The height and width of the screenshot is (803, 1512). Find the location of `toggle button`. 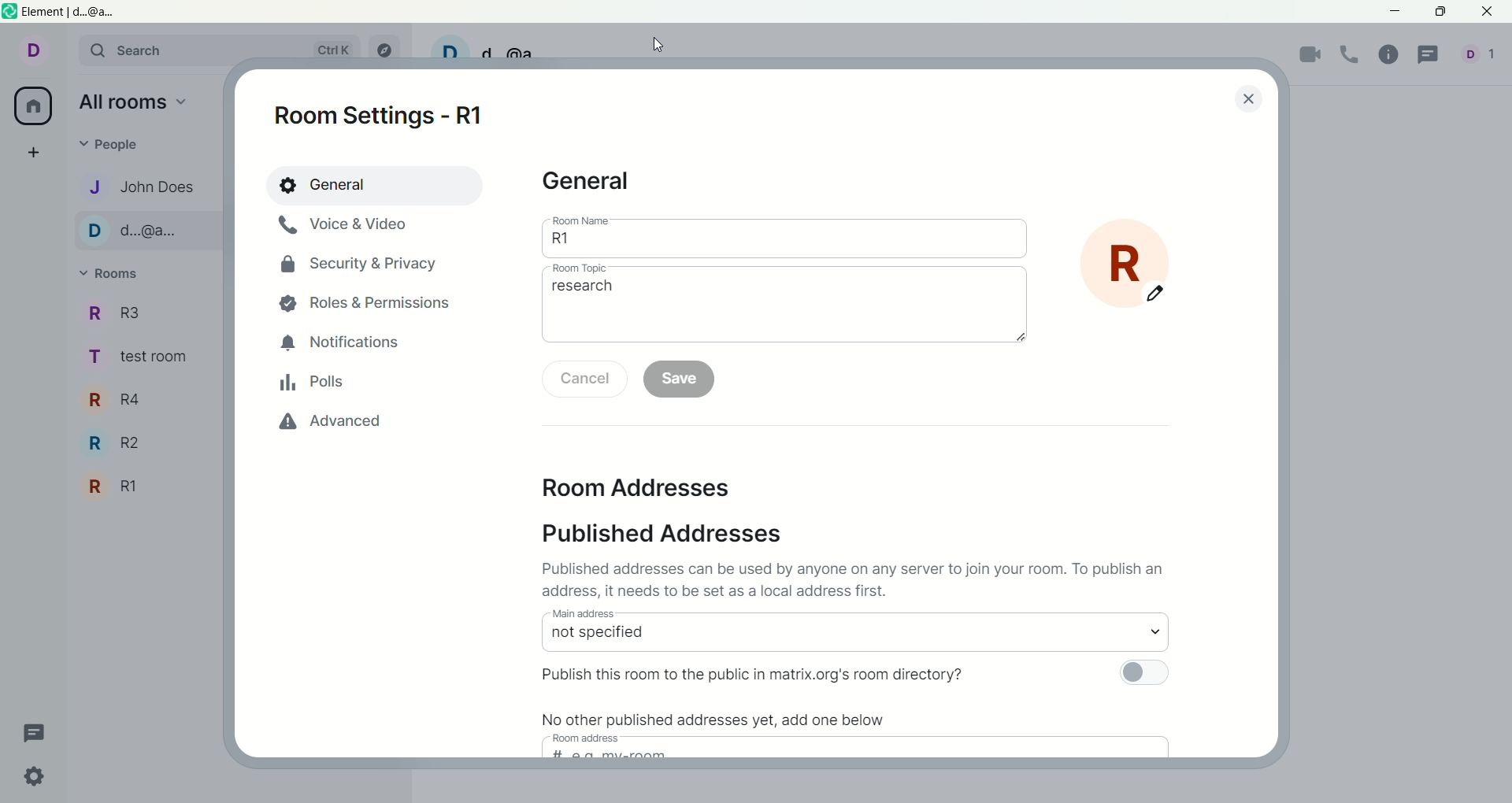

toggle button is located at coordinates (1142, 672).